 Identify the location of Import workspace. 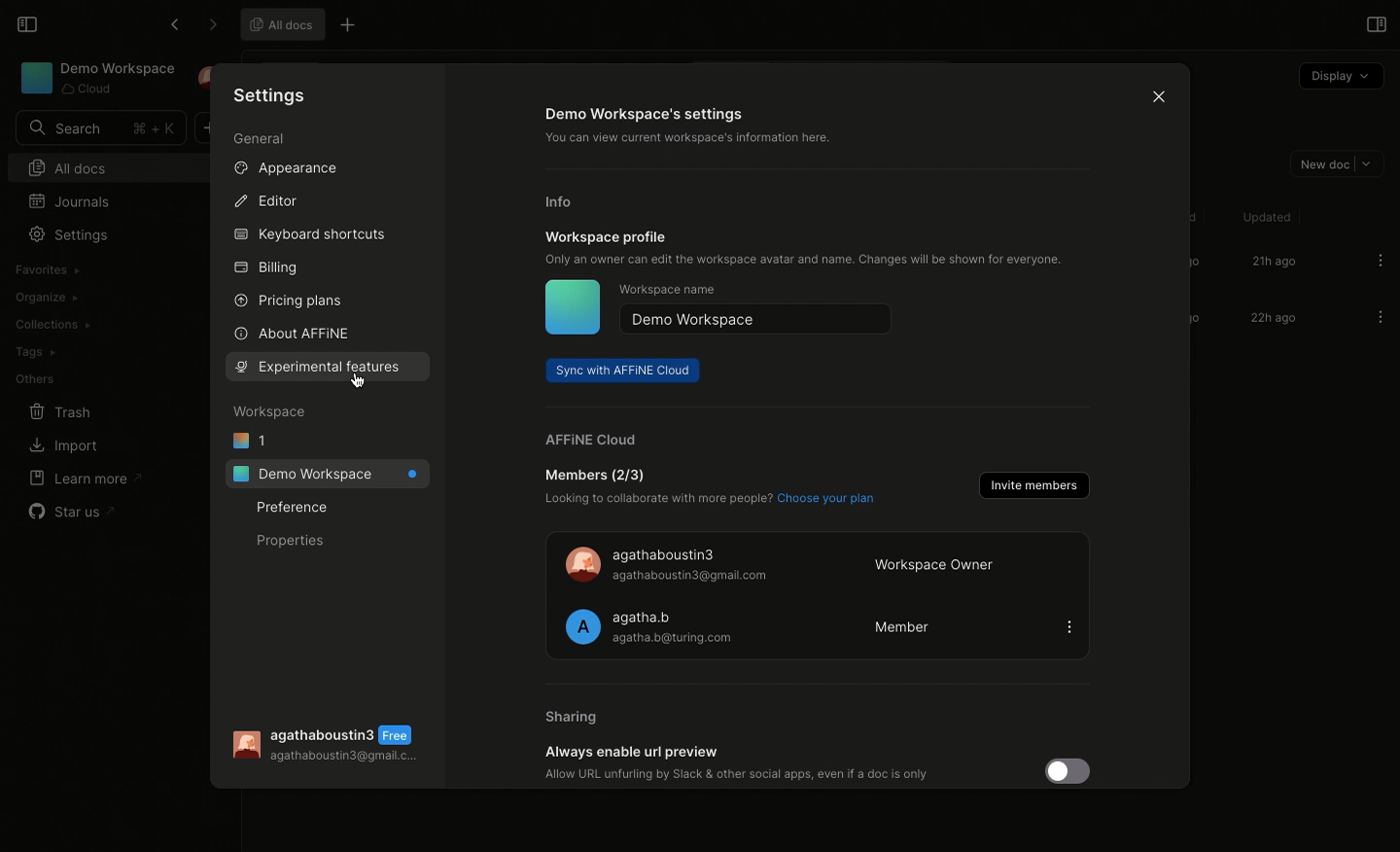
(91, 268).